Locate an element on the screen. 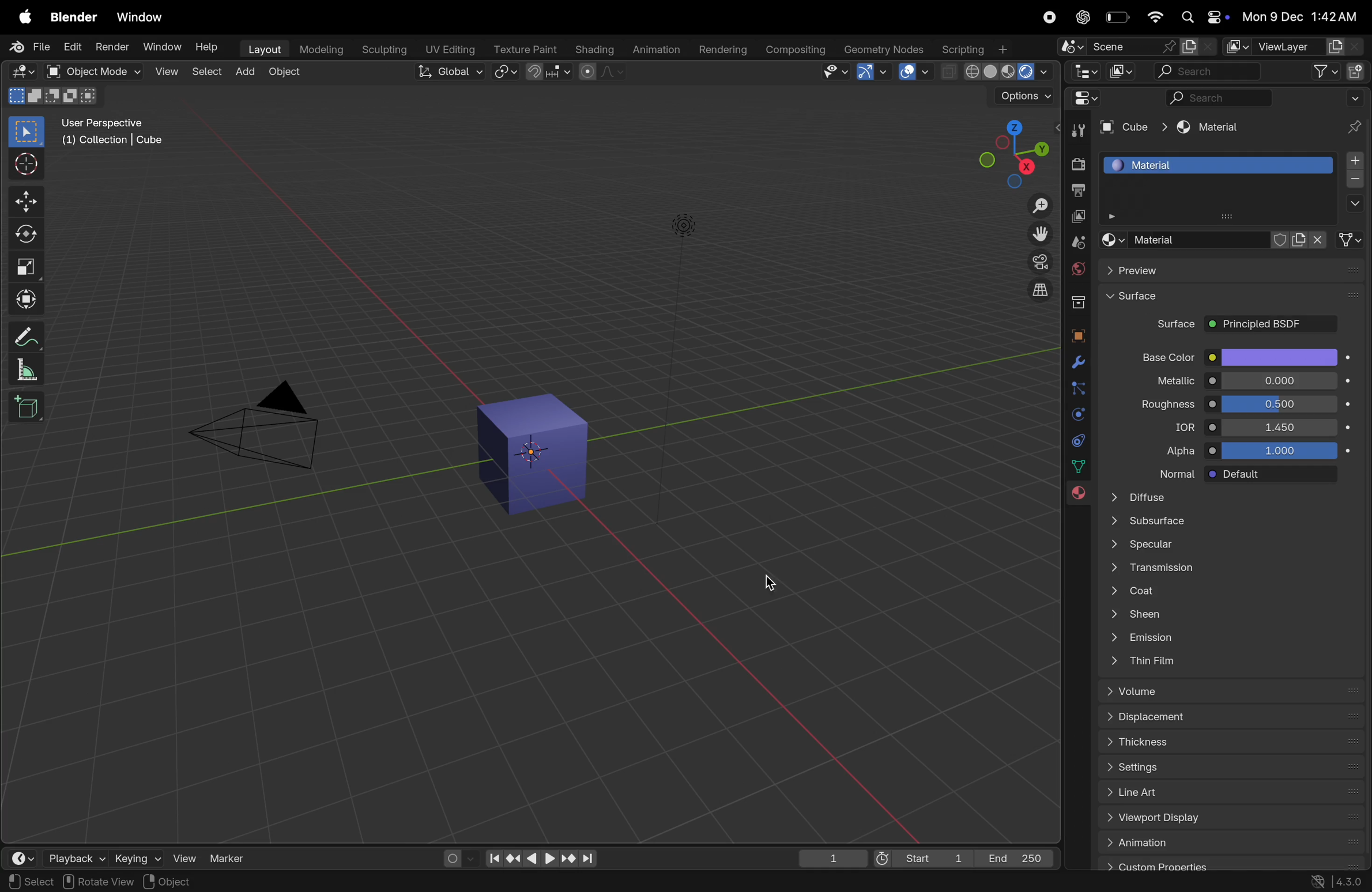 Image resolution: width=1372 pixels, height=892 pixels. scripting is located at coordinates (975, 48).